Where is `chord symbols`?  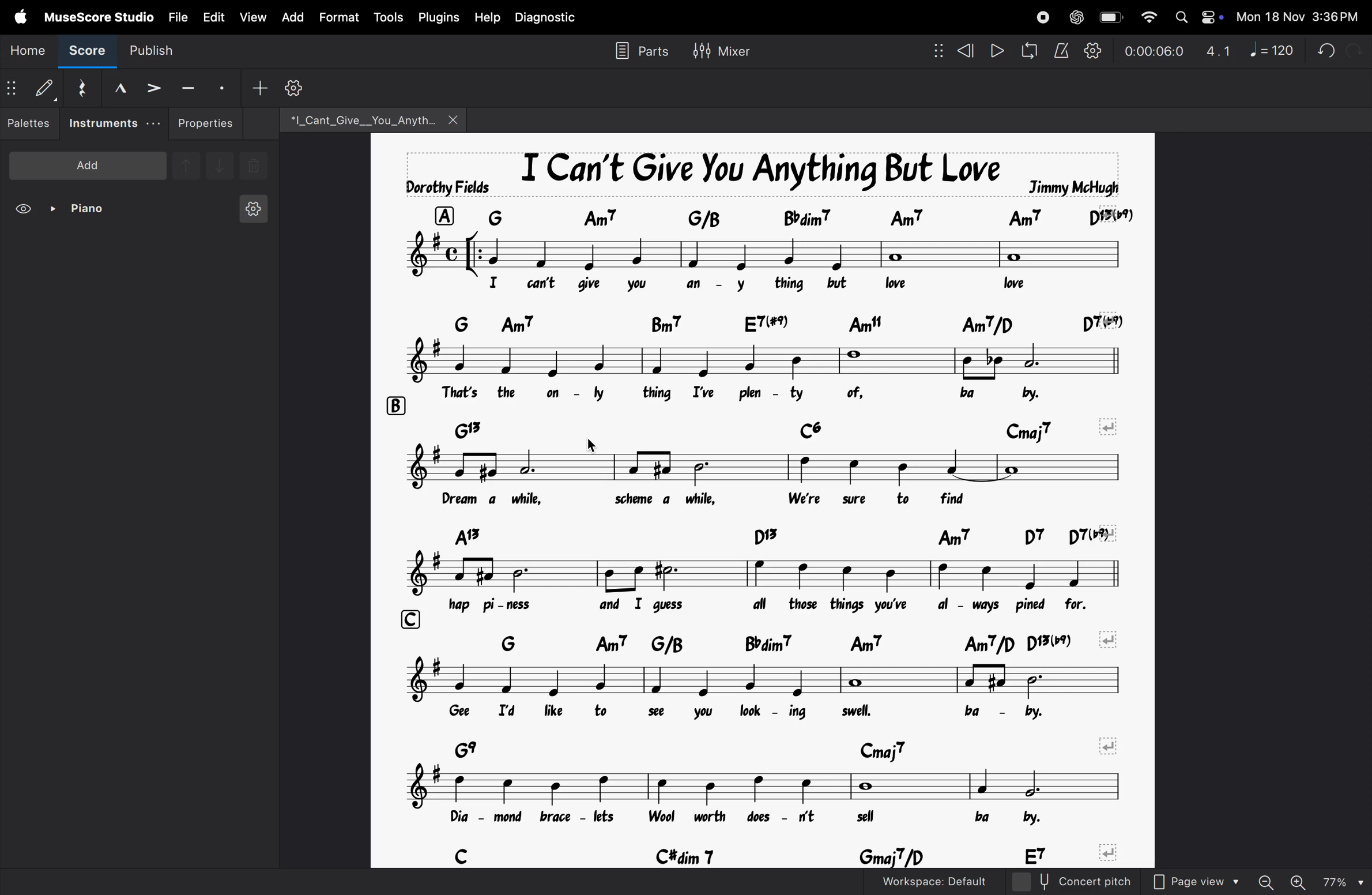
chord symbols is located at coordinates (786, 749).